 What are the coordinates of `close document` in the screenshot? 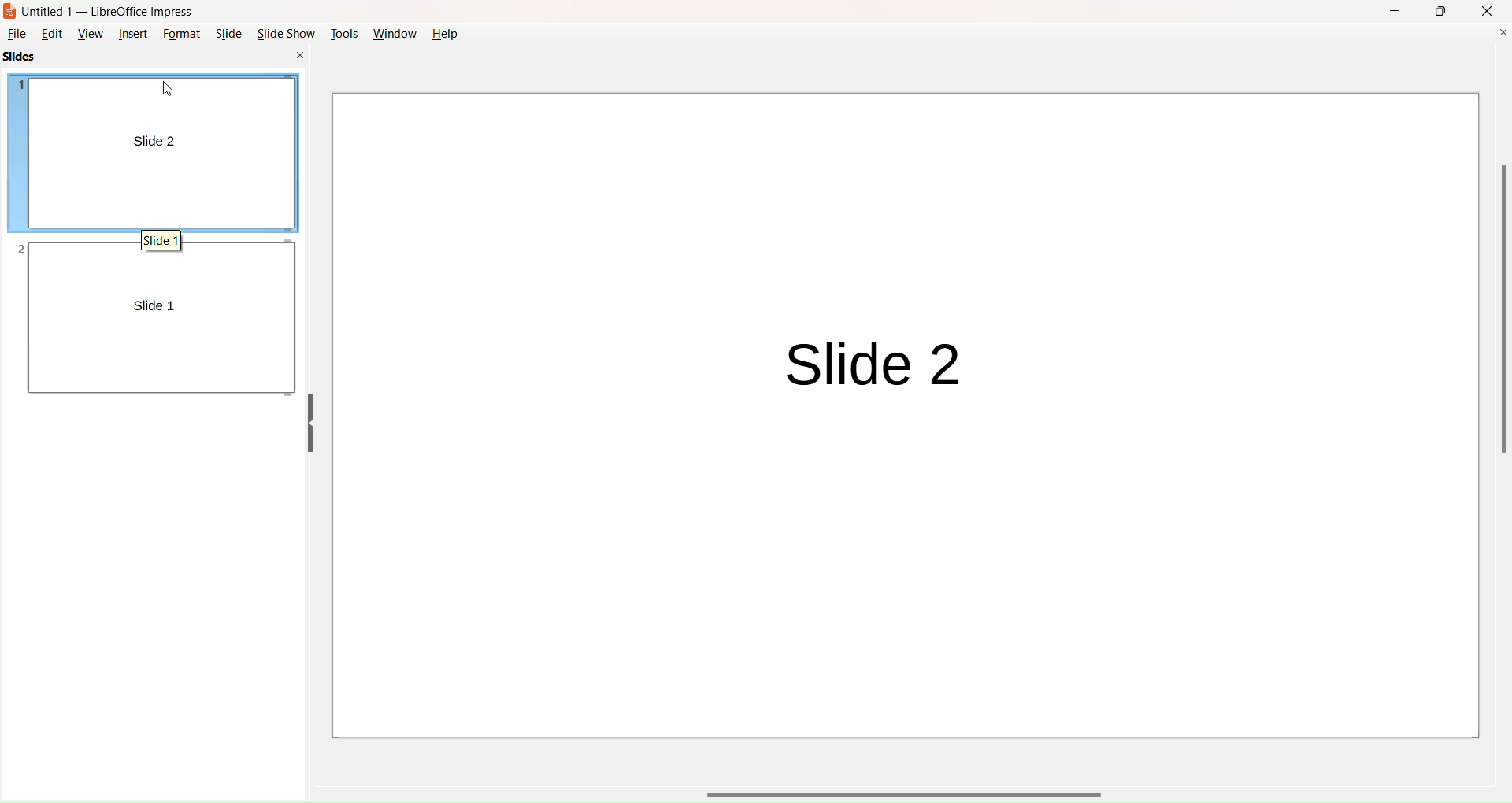 It's located at (1501, 33).